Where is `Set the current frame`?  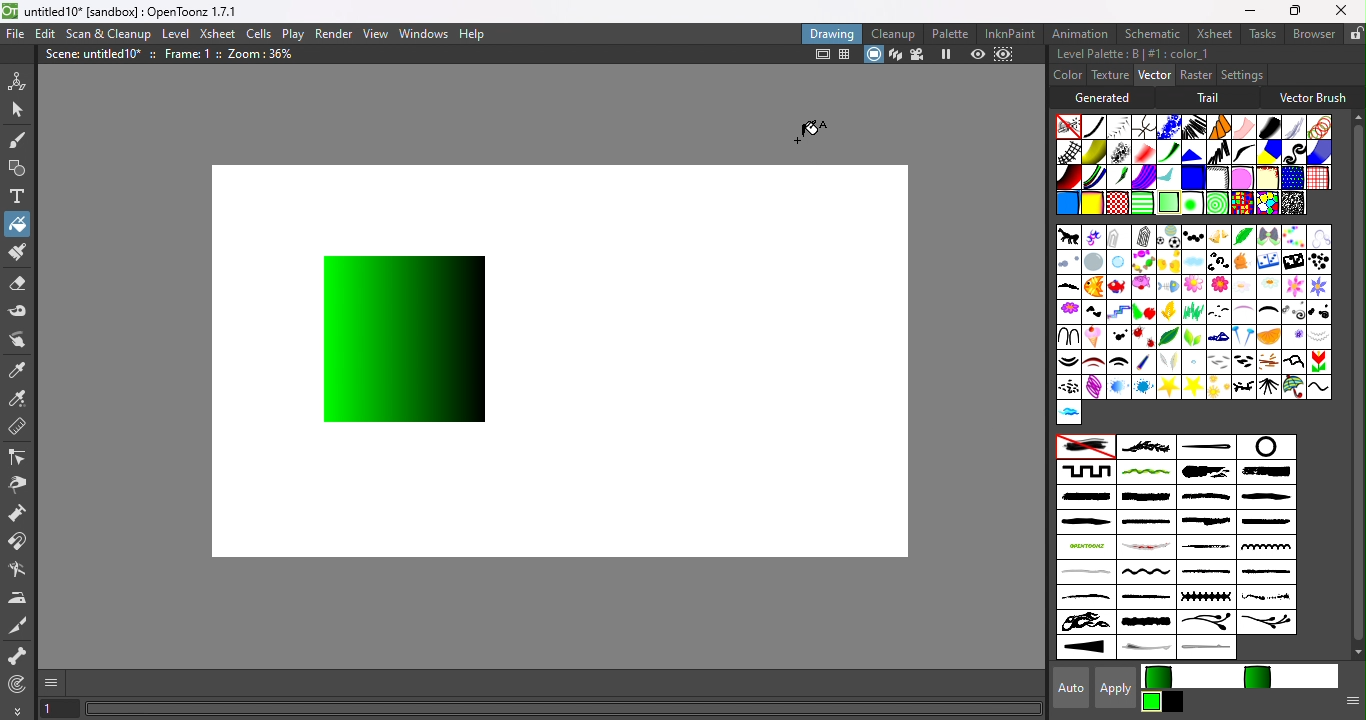 Set the current frame is located at coordinates (59, 710).